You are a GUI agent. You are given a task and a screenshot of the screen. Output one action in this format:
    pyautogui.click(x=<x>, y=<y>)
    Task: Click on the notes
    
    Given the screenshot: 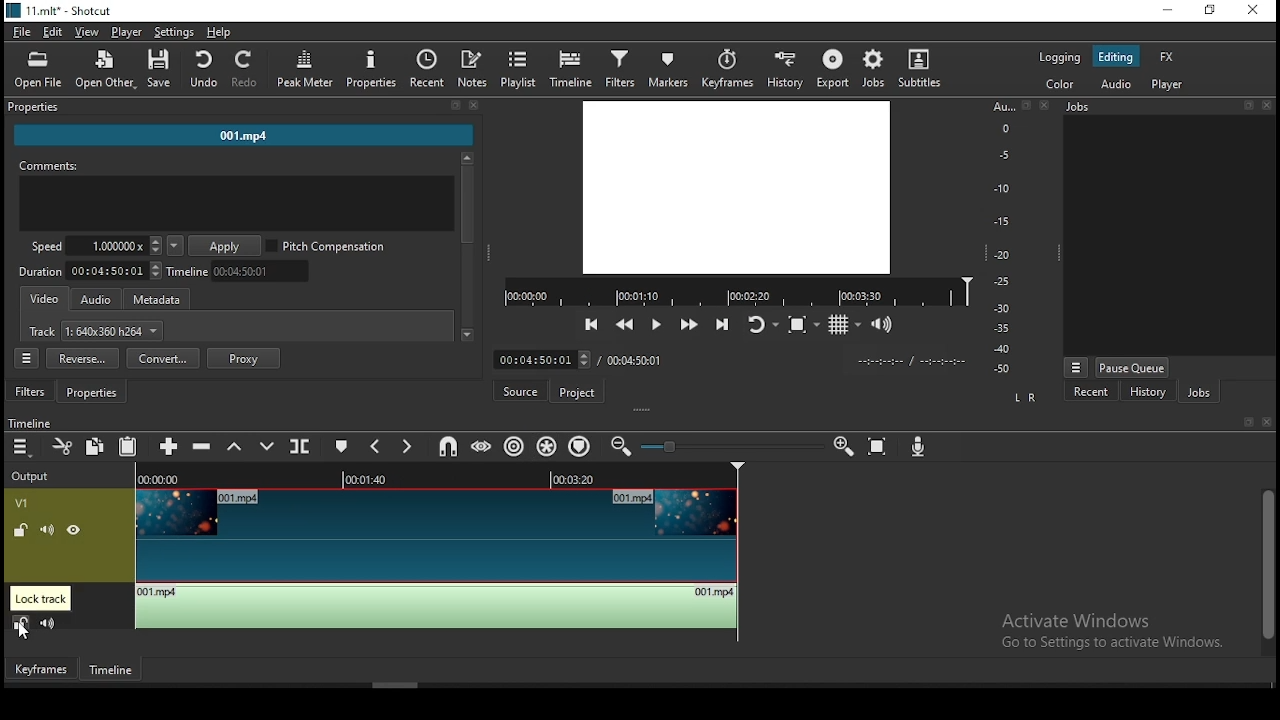 What is the action you would take?
    pyautogui.click(x=474, y=70)
    